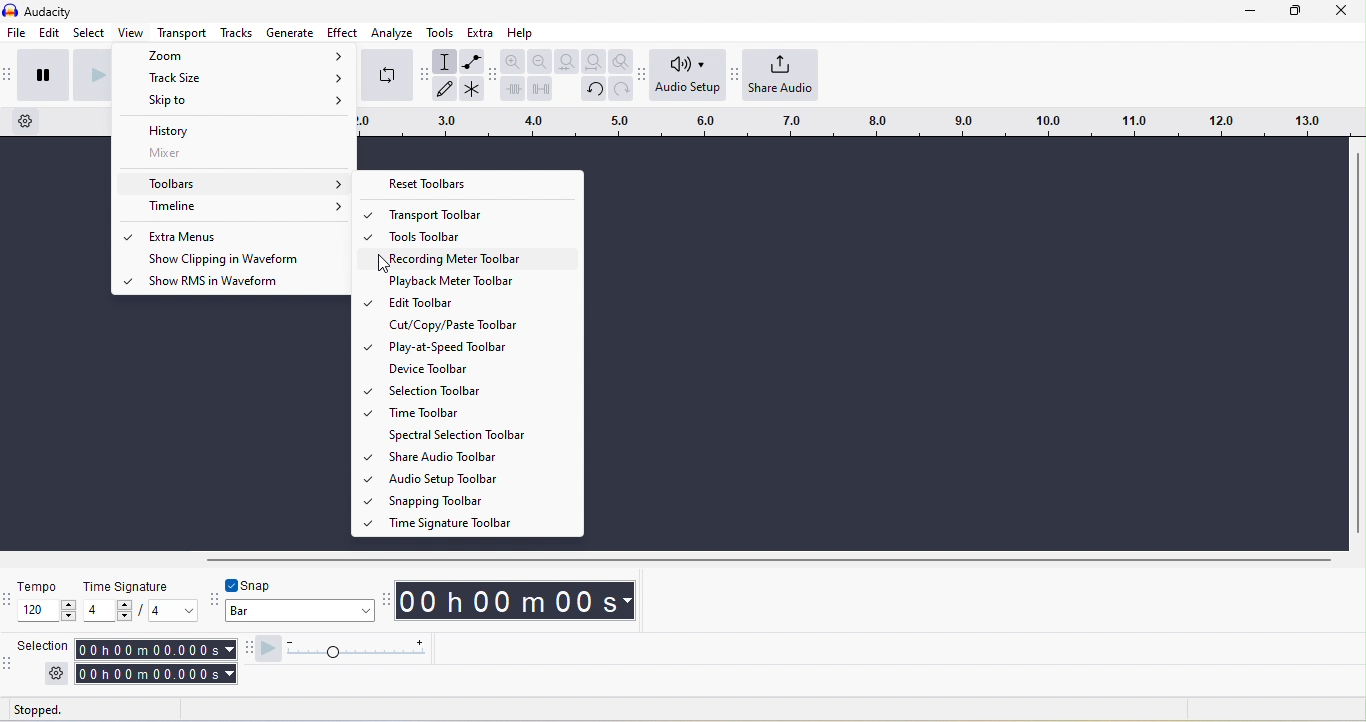  Describe the element at coordinates (90, 76) in the screenshot. I see `play` at that location.